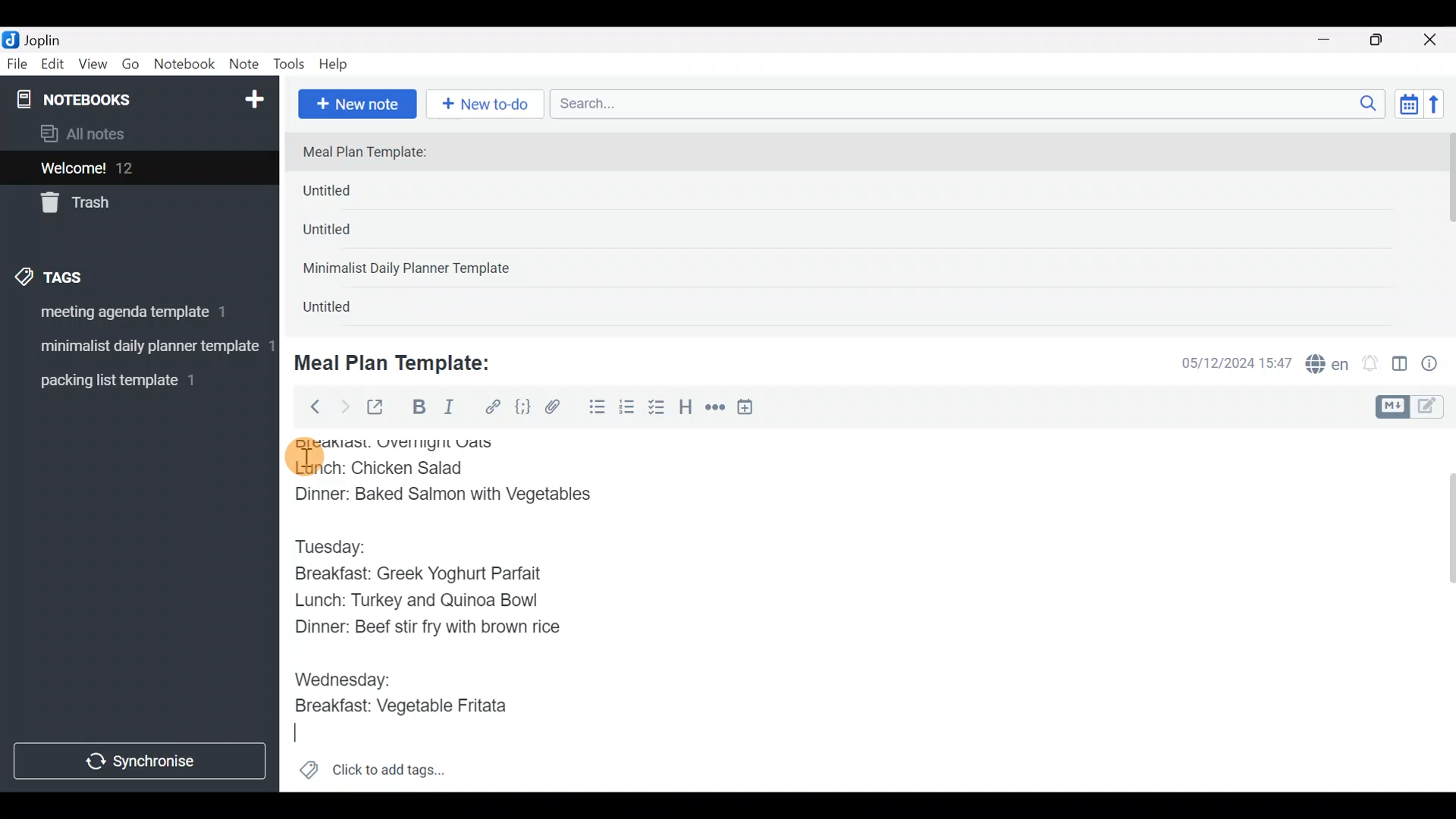 The width and height of the screenshot is (1456, 819). What do you see at coordinates (411, 270) in the screenshot?
I see `Minimalist Daily Planner Template` at bounding box center [411, 270].